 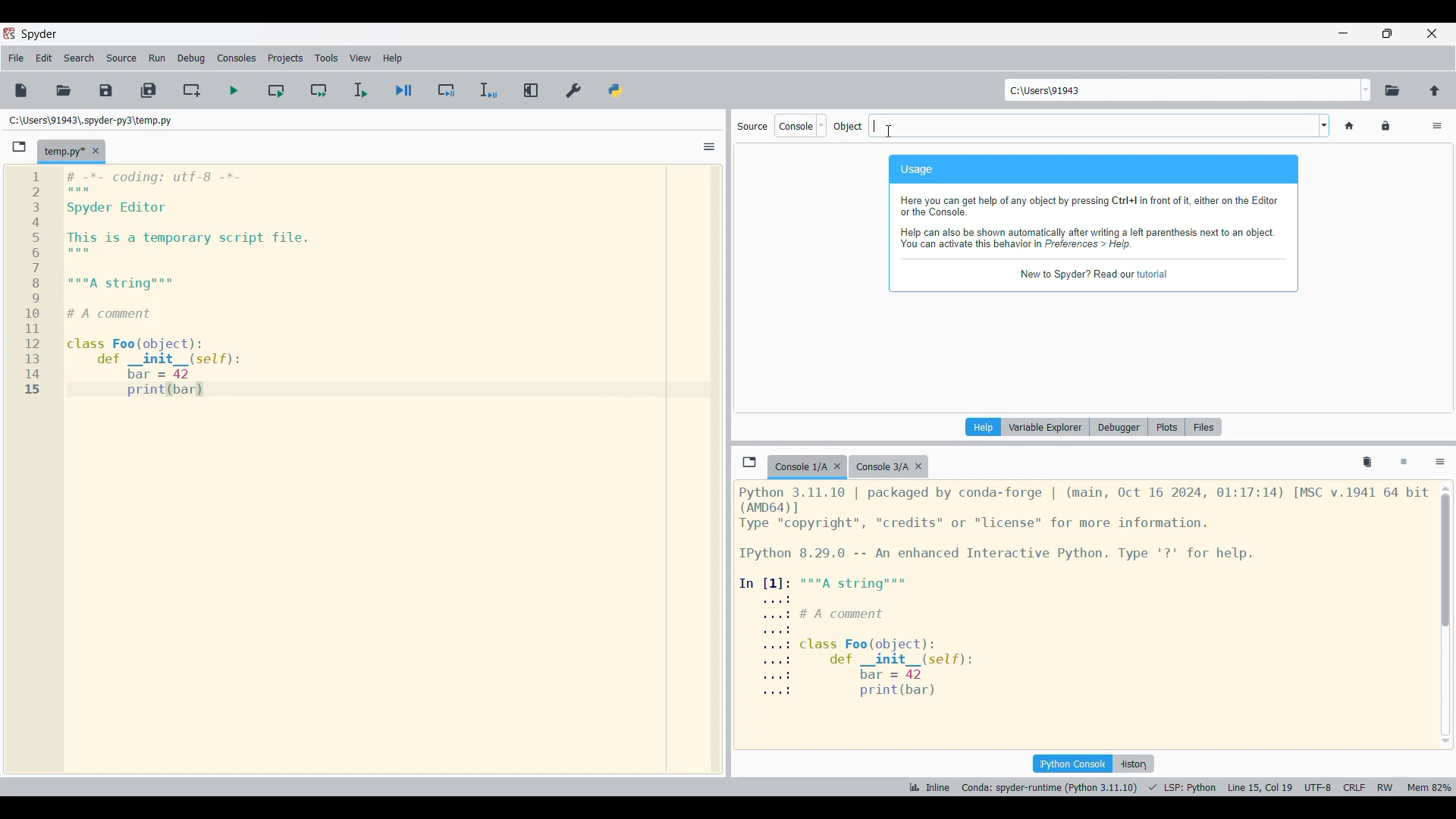 What do you see at coordinates (981, 427) in the screenshot?
I see `Help` at bounding box center [981, 427].